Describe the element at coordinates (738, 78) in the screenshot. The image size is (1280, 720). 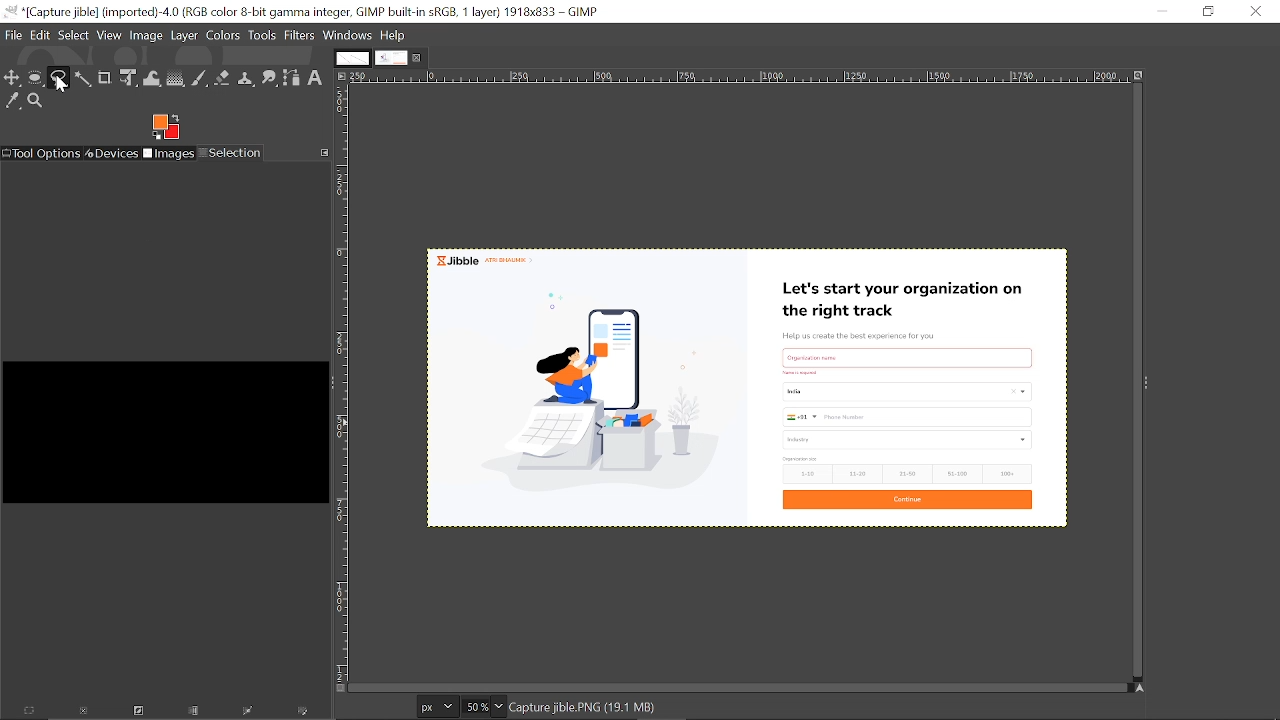
I see `Horizontal label` at that location.